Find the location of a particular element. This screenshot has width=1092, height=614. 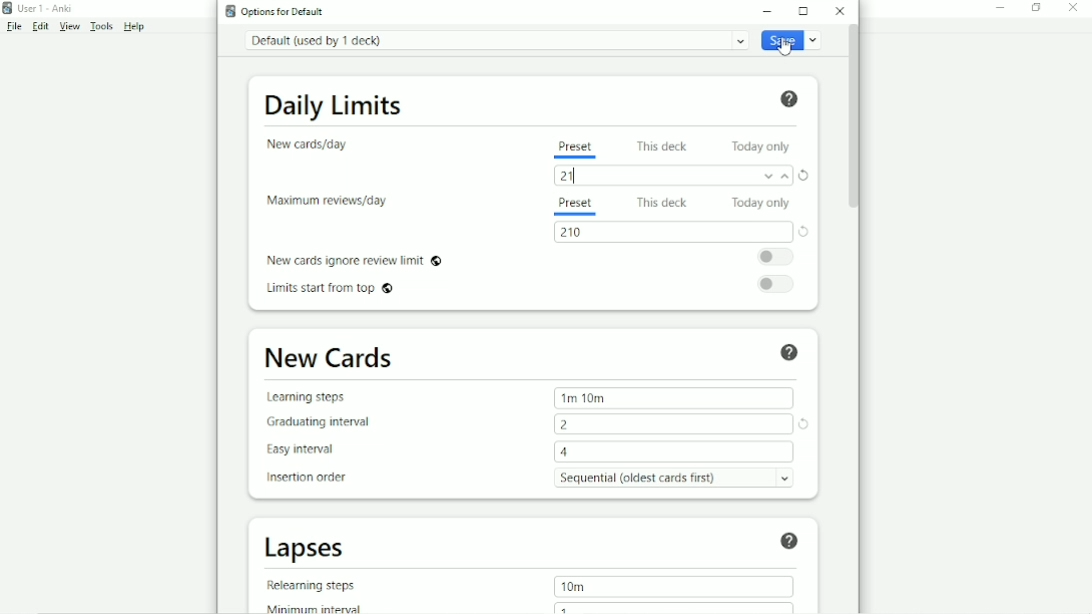

Maximum reviews/day is located at coordinates (332, 203).